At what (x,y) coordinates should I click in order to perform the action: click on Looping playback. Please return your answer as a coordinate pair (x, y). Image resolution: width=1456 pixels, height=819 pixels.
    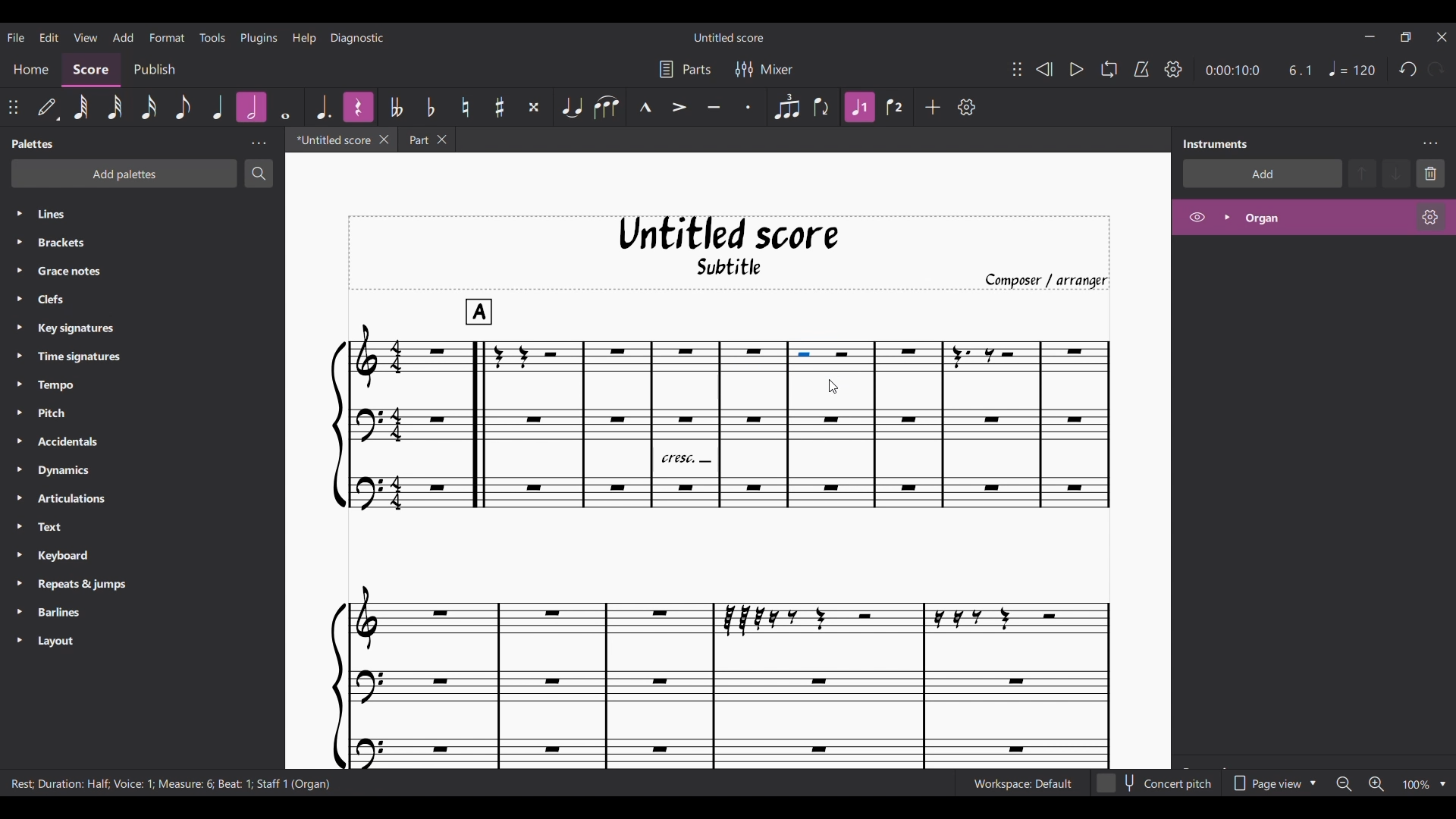
    Looking at the image, I should click on (1109, 69).